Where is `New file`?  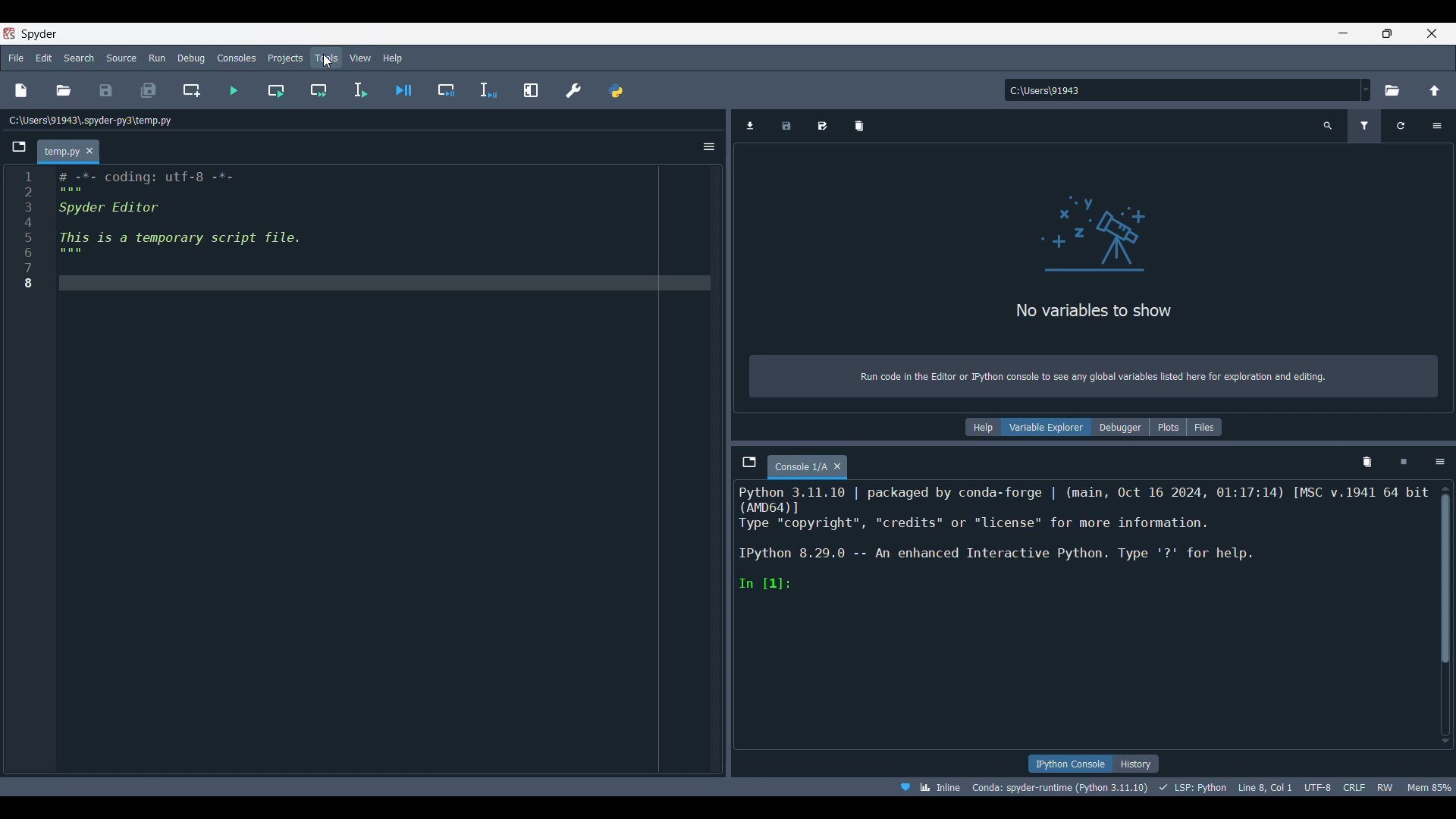
New file is located at coordinates (22, 90).